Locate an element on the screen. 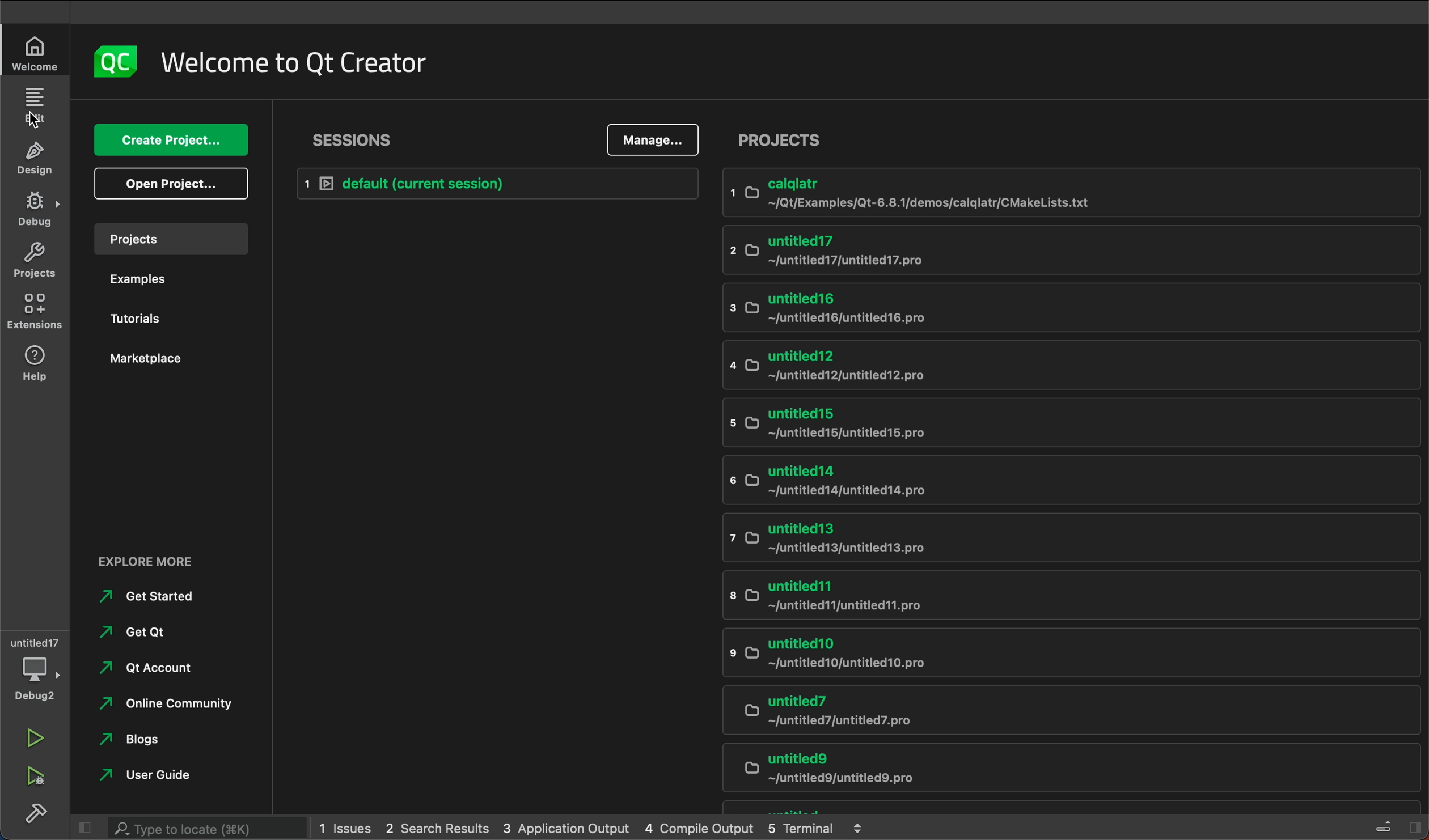 The image size is (1429, 840). manage is located at coordinates (655, 141).